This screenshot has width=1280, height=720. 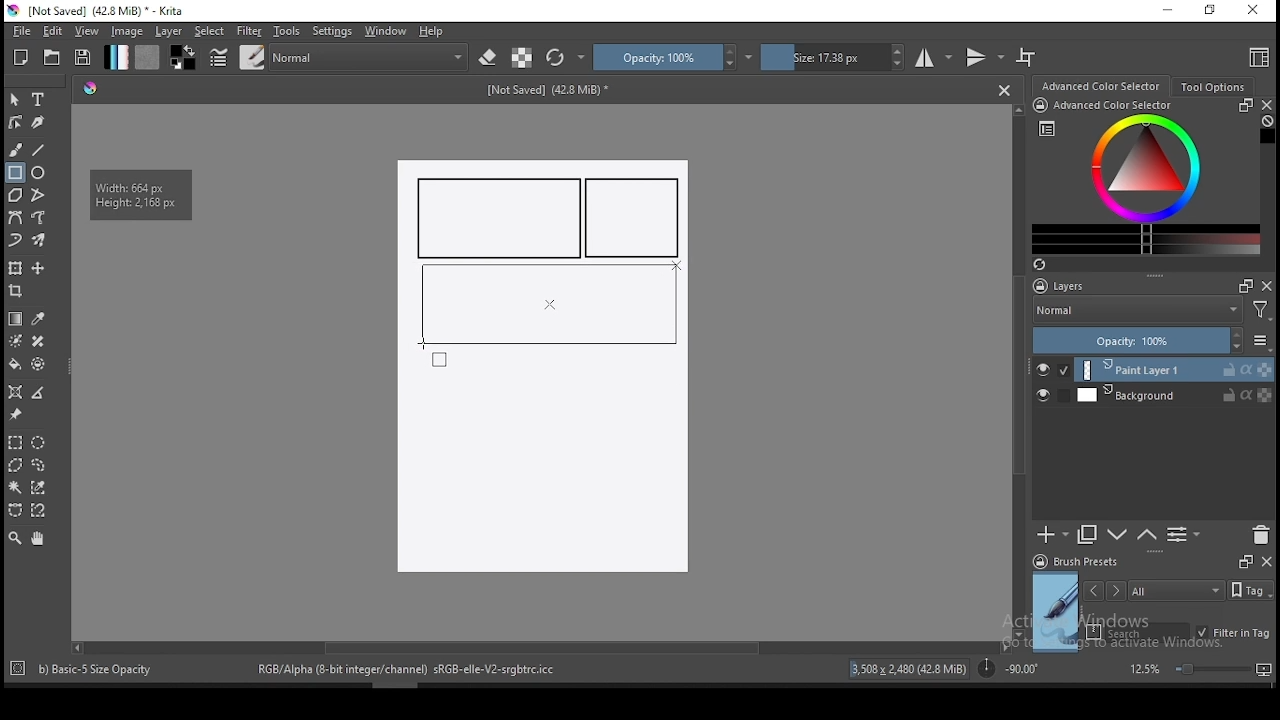 What do you see at coordinates (39, 394) in the screenshot?
I see `measure distance between two points` at bounding box center [39, 394].